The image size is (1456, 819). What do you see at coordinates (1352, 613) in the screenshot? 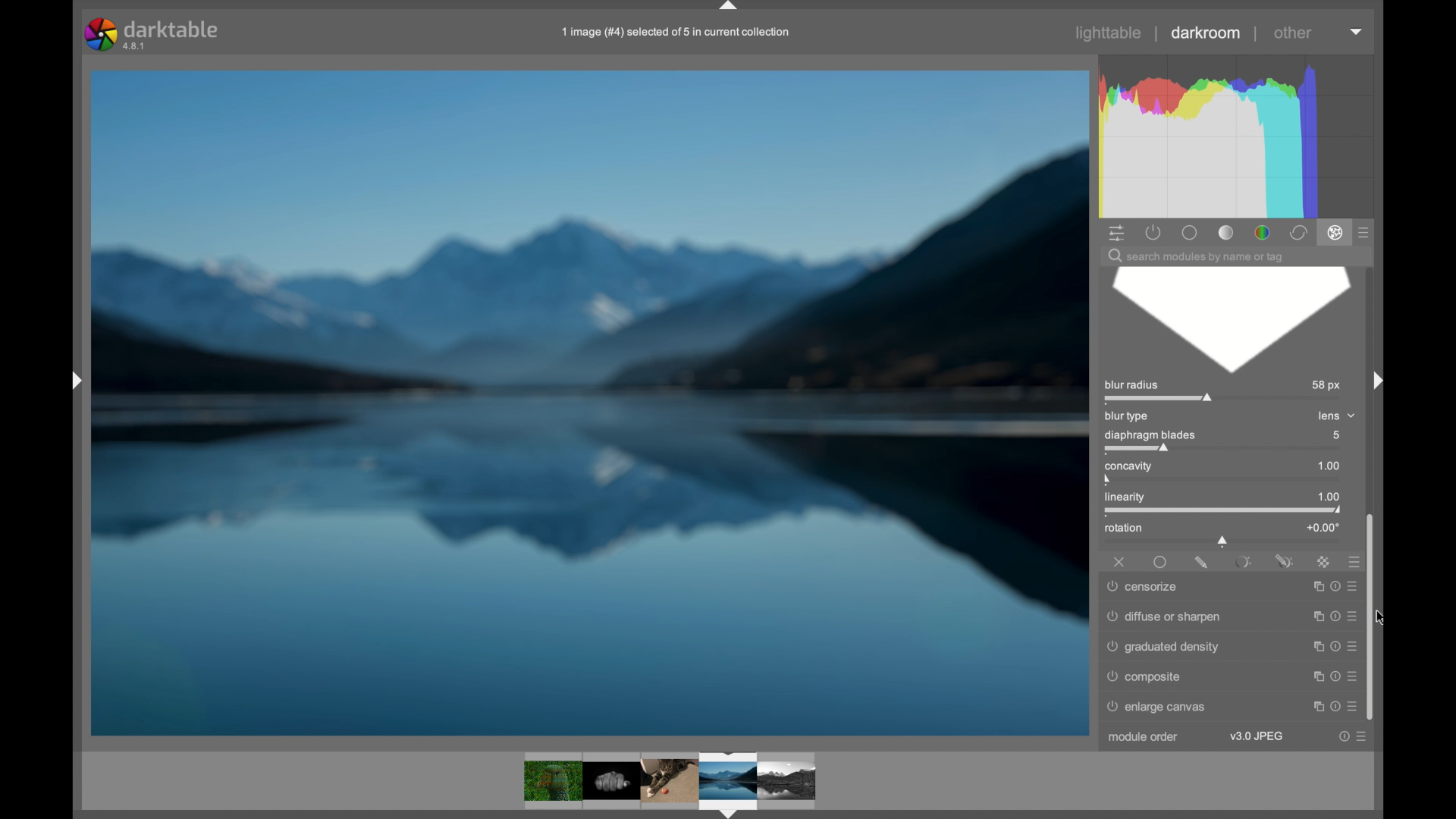
I see `more options` at bounding box center [1352, 613].